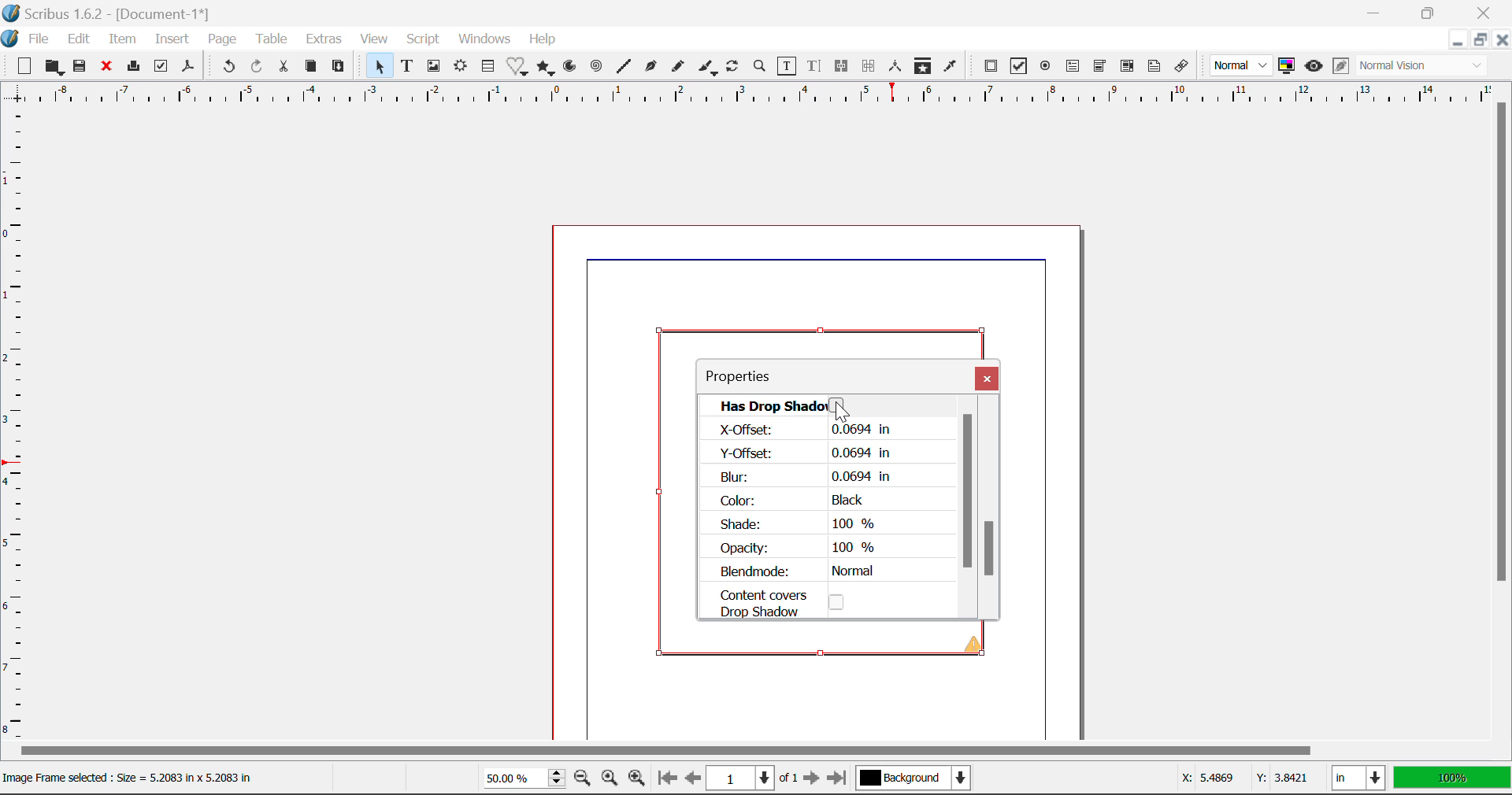  I want to click on Discard, so click(109, 68).